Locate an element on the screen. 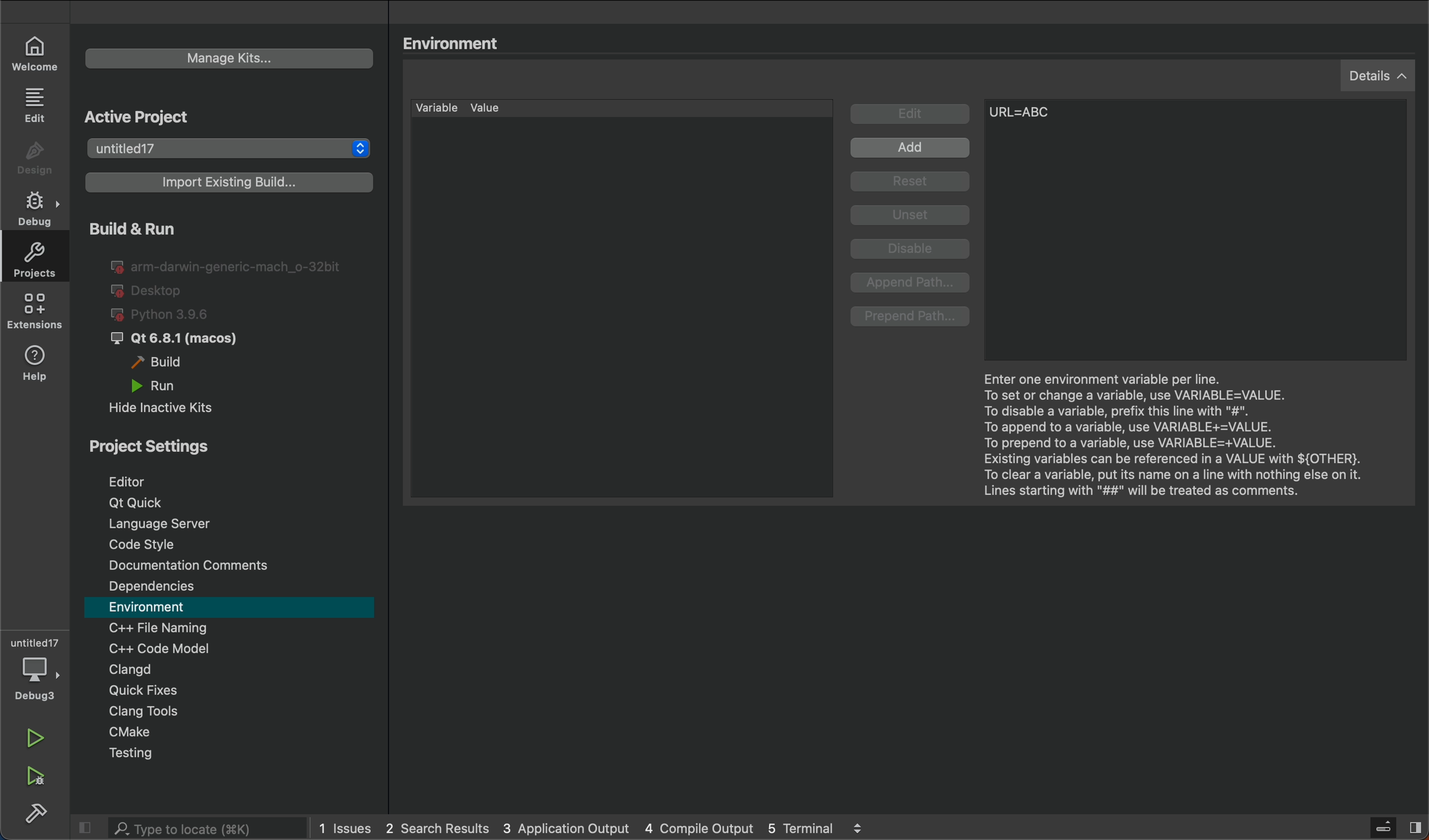 This screenshot has height=840, width=1429. Clang tool is located at coordinates (238, 712).